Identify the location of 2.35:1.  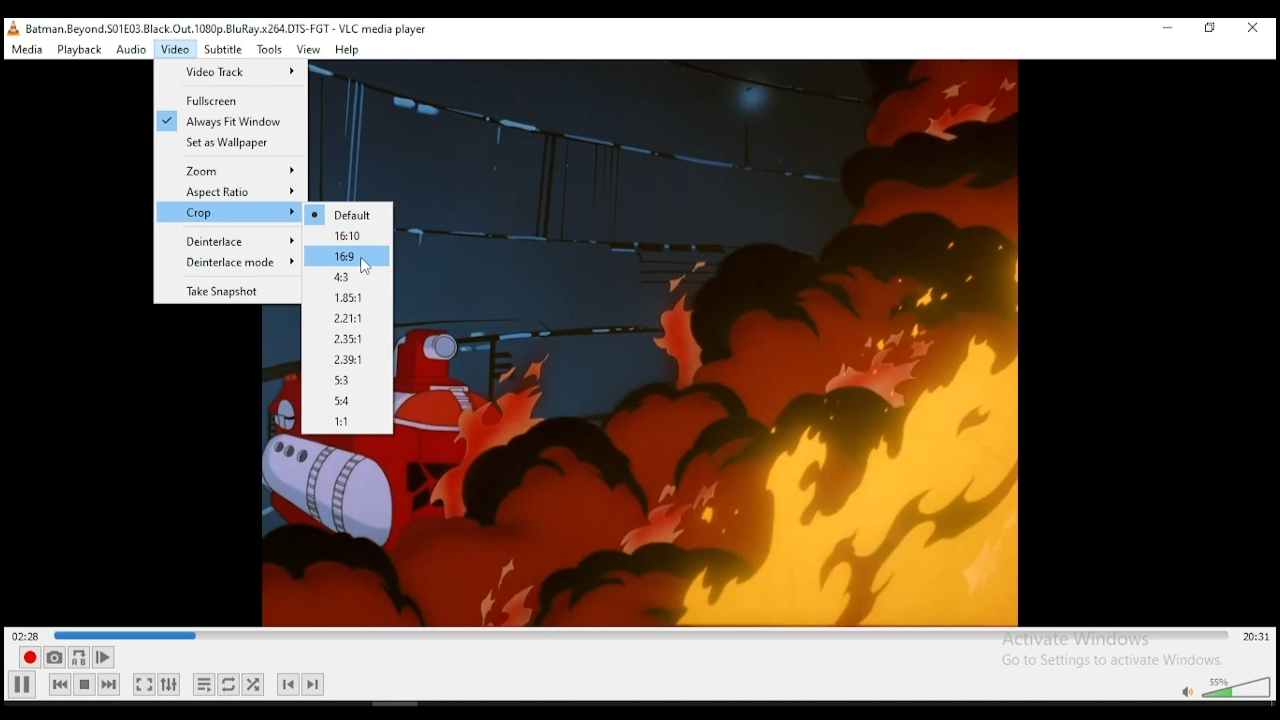
(346, 337).